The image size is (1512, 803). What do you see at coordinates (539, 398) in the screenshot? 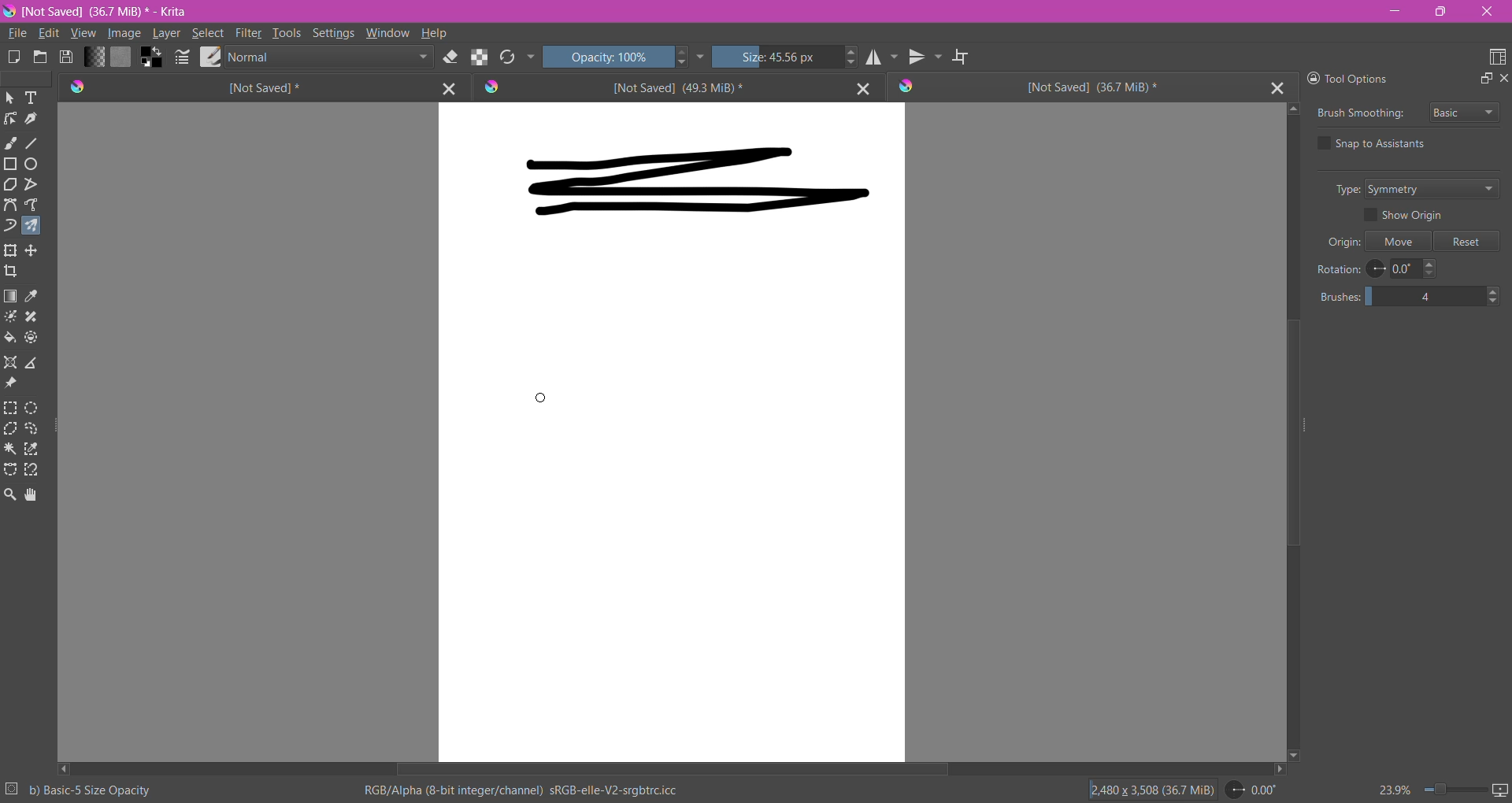
I see `` at bounding box center [539, 398].